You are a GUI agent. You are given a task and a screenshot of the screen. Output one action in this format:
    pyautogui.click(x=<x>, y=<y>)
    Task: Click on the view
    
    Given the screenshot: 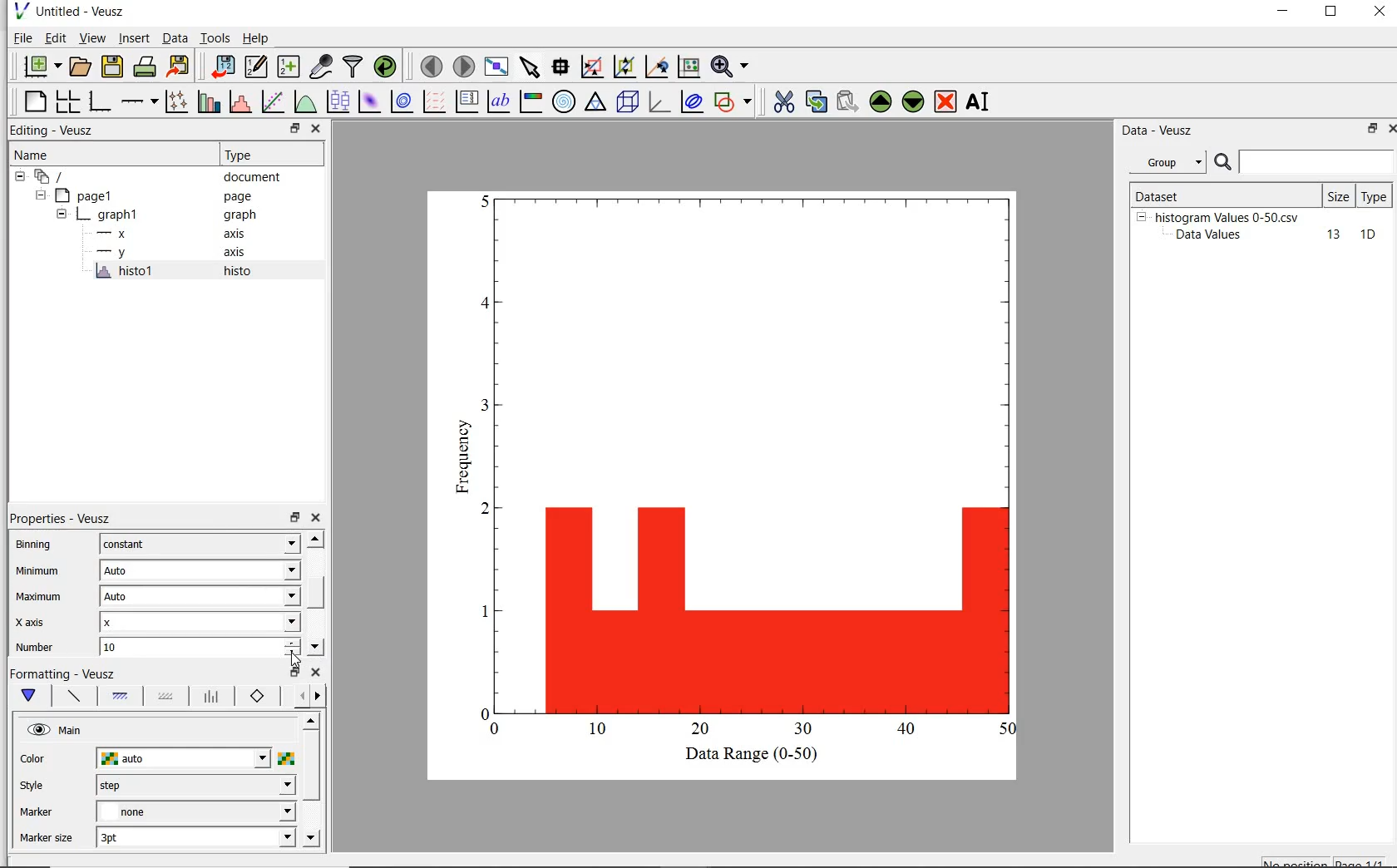 What is the action you would take?
    pyautogui.click(x=95, y=37)
    